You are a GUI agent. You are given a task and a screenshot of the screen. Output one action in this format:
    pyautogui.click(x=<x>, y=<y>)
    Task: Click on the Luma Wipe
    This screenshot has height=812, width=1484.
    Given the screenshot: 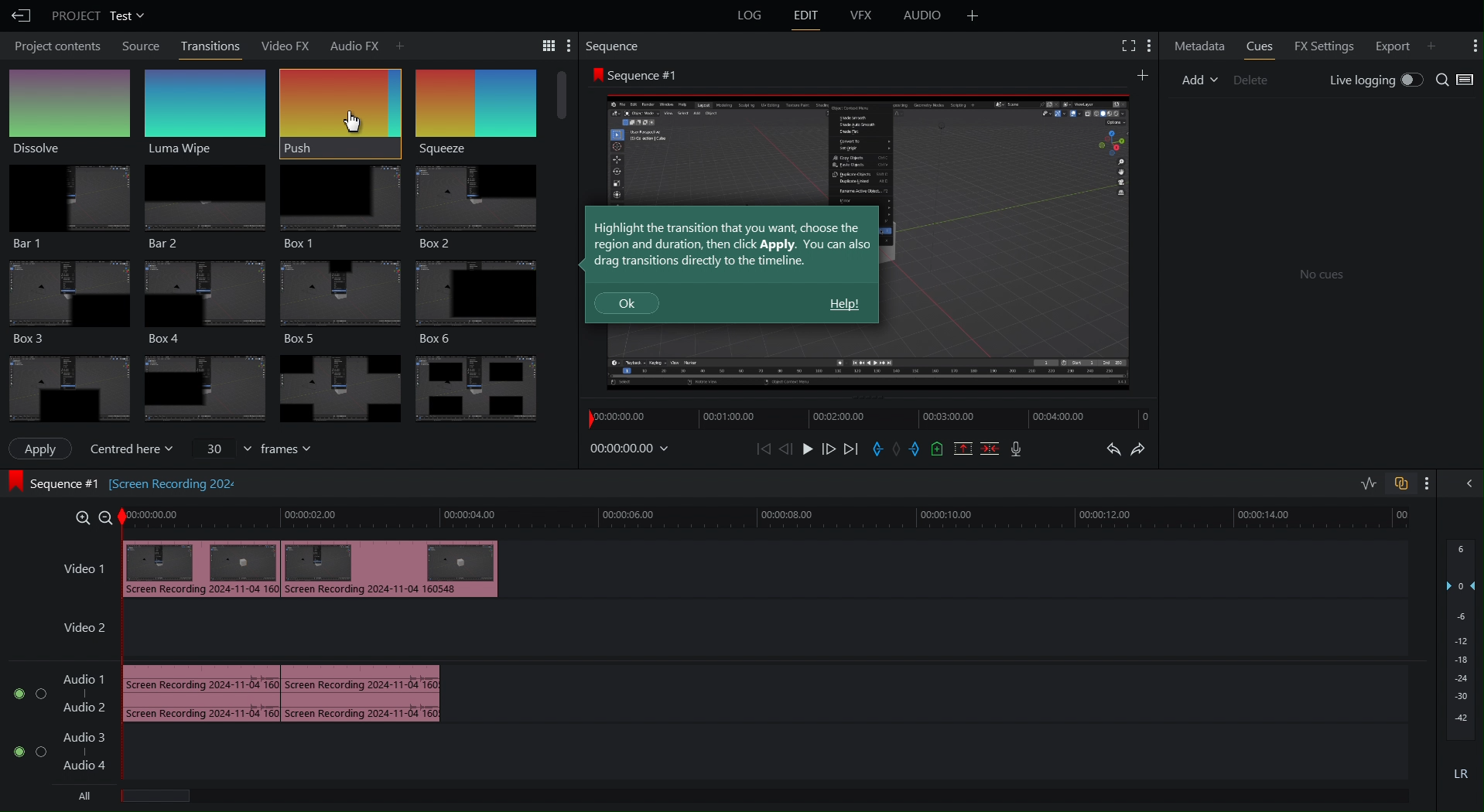 What is the action you would take?
    pyautogui.click(x=207, y=111)
    